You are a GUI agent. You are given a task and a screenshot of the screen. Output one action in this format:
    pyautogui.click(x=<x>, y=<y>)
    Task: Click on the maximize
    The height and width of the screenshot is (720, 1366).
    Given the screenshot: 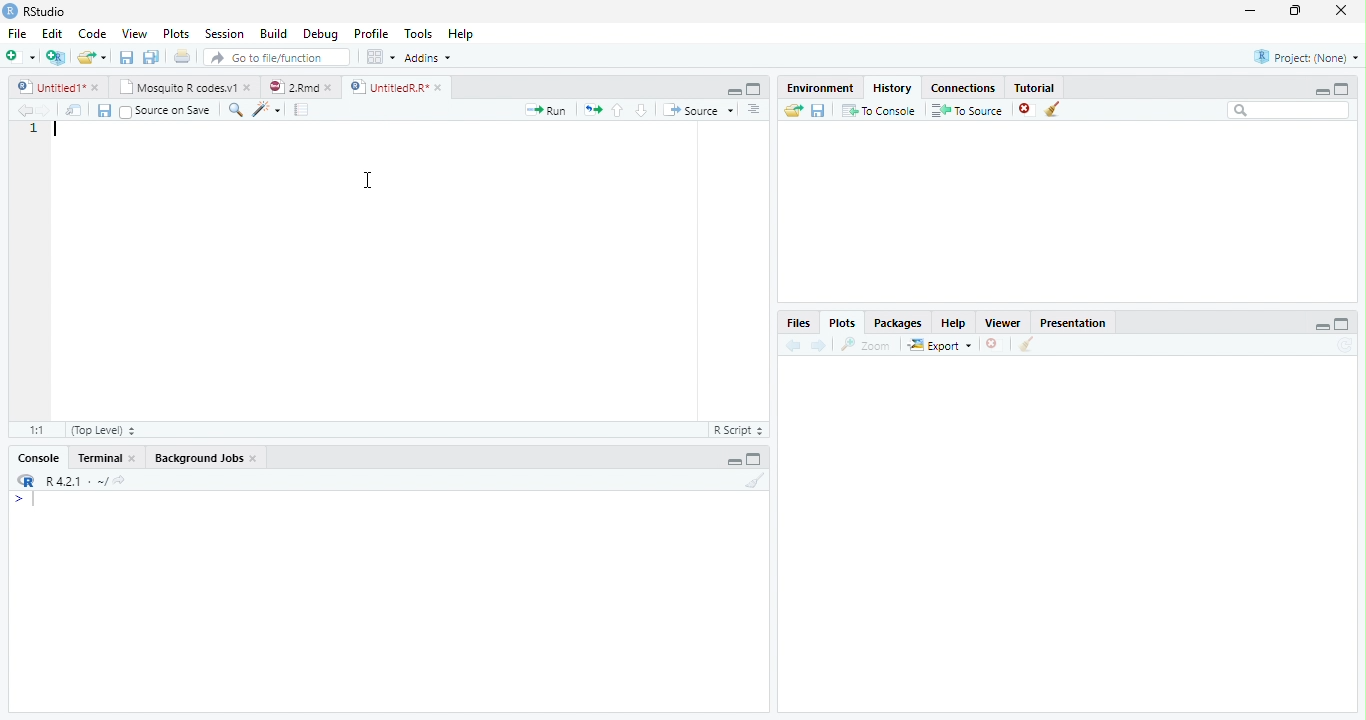 What is the action you would take?
    pyautogui.click(x=1344, y=323)
    